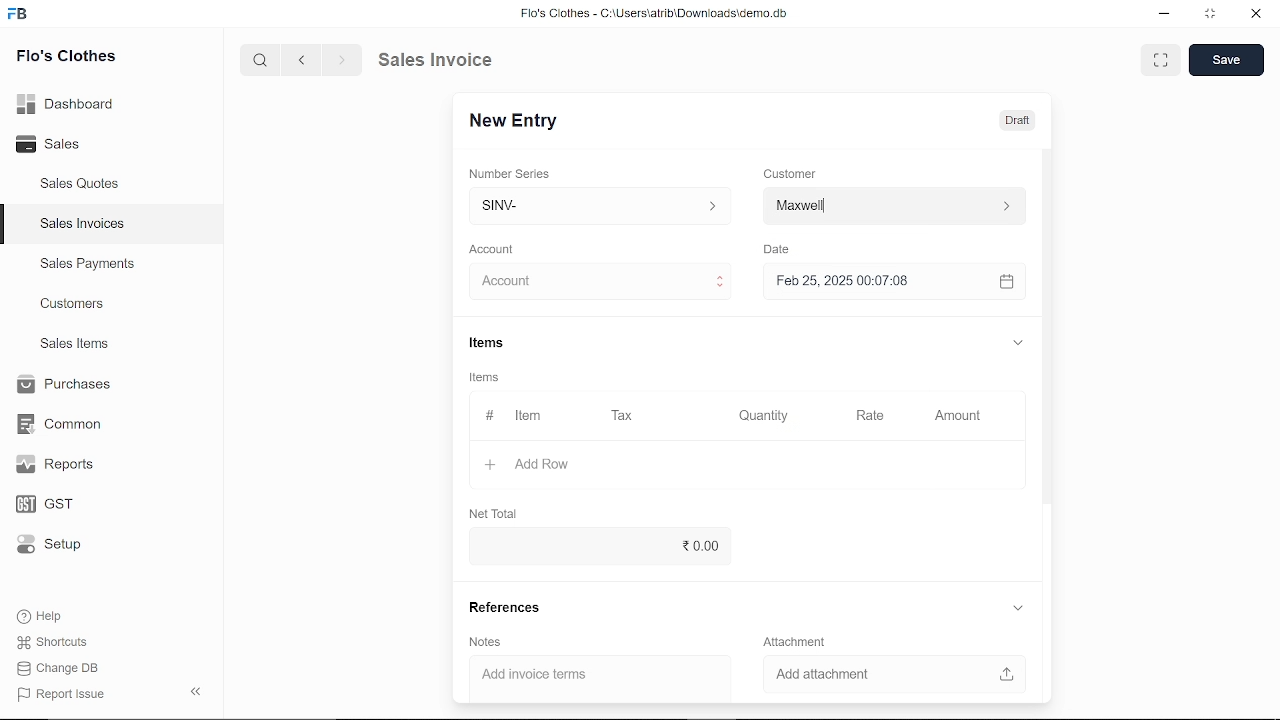  What do you see at coordinates (87, 264) in the screenshot?
I see `Sales Payments` at bounding box center [87, 264].